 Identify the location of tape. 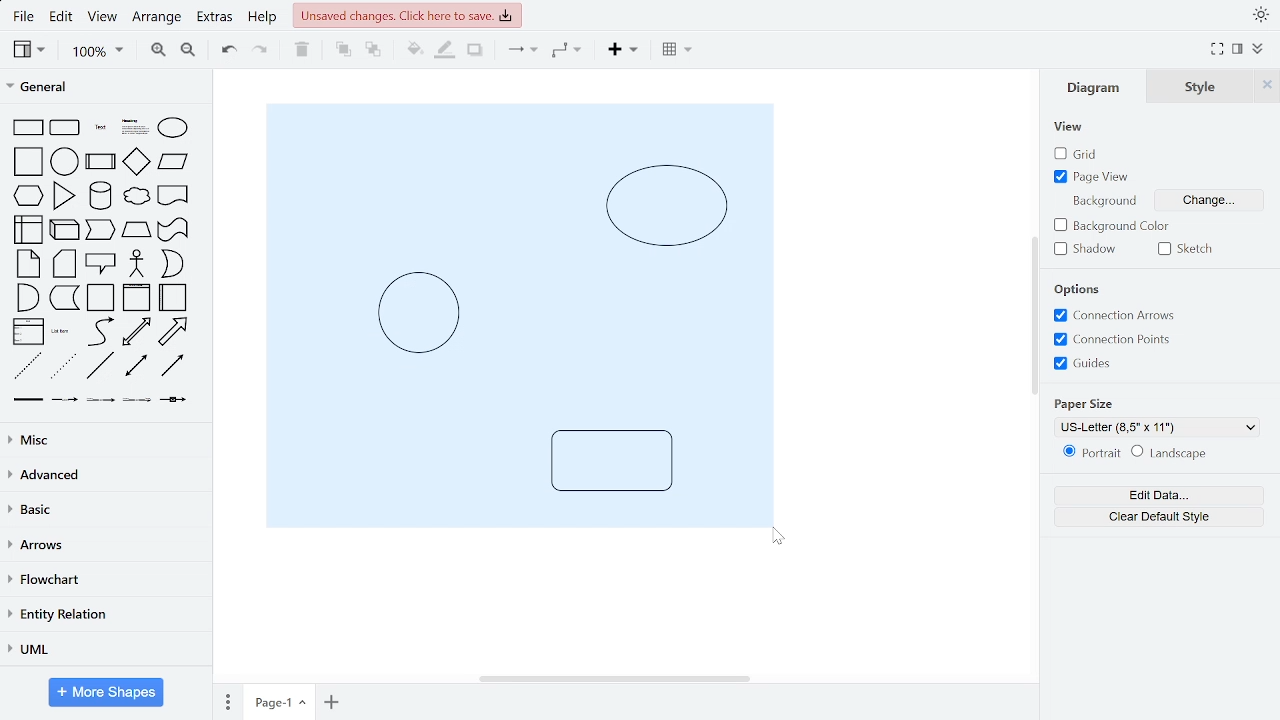
(174, 230).